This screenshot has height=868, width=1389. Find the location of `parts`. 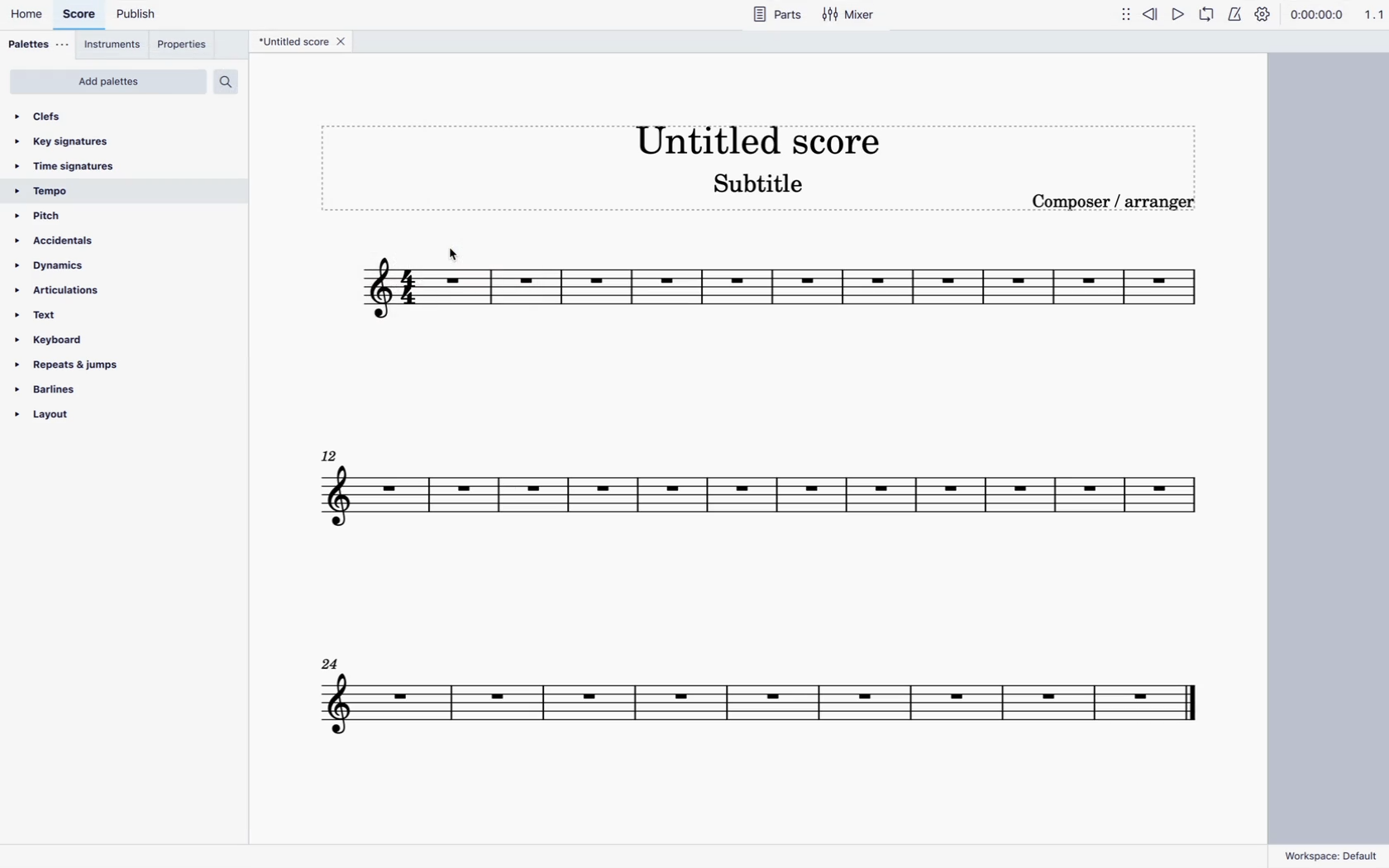

parts is located at coordinates (779, 17).